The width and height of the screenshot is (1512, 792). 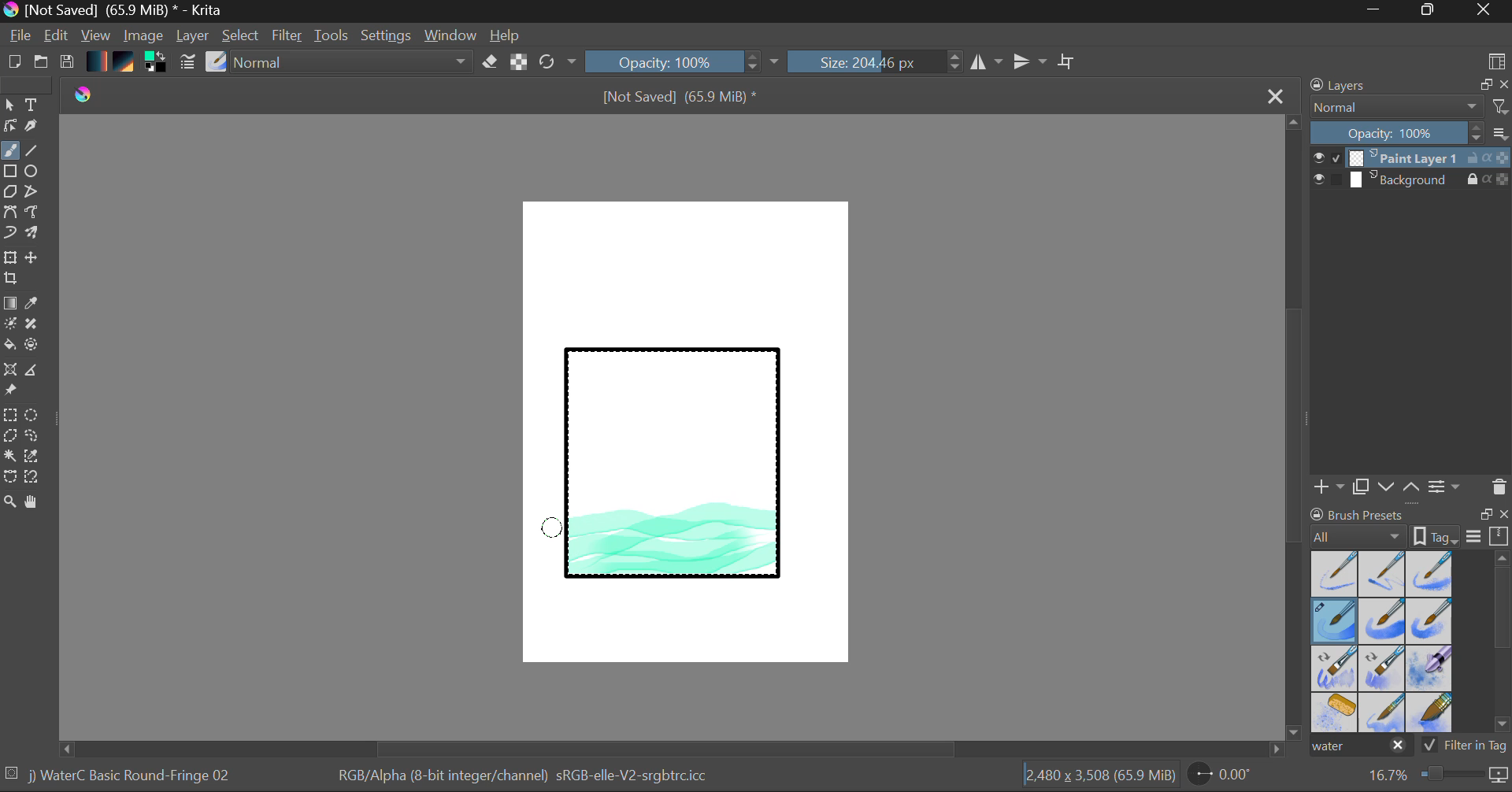 I want to click on Water C - Wet, so click(x=1384, y=574).